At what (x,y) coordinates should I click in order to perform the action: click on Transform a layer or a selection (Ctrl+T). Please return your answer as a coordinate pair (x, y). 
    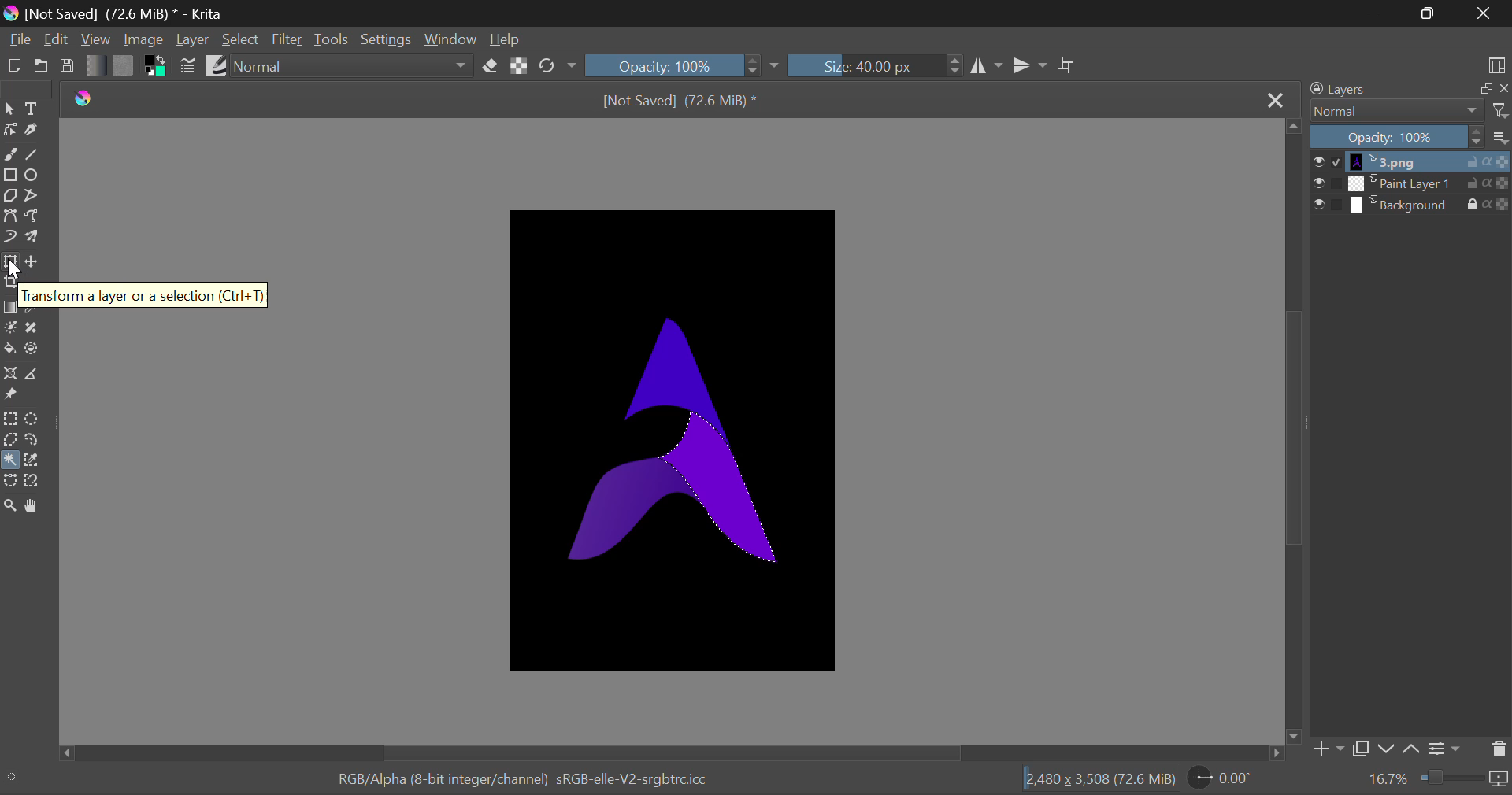
    Looking at the image, I should click on (144, 294).